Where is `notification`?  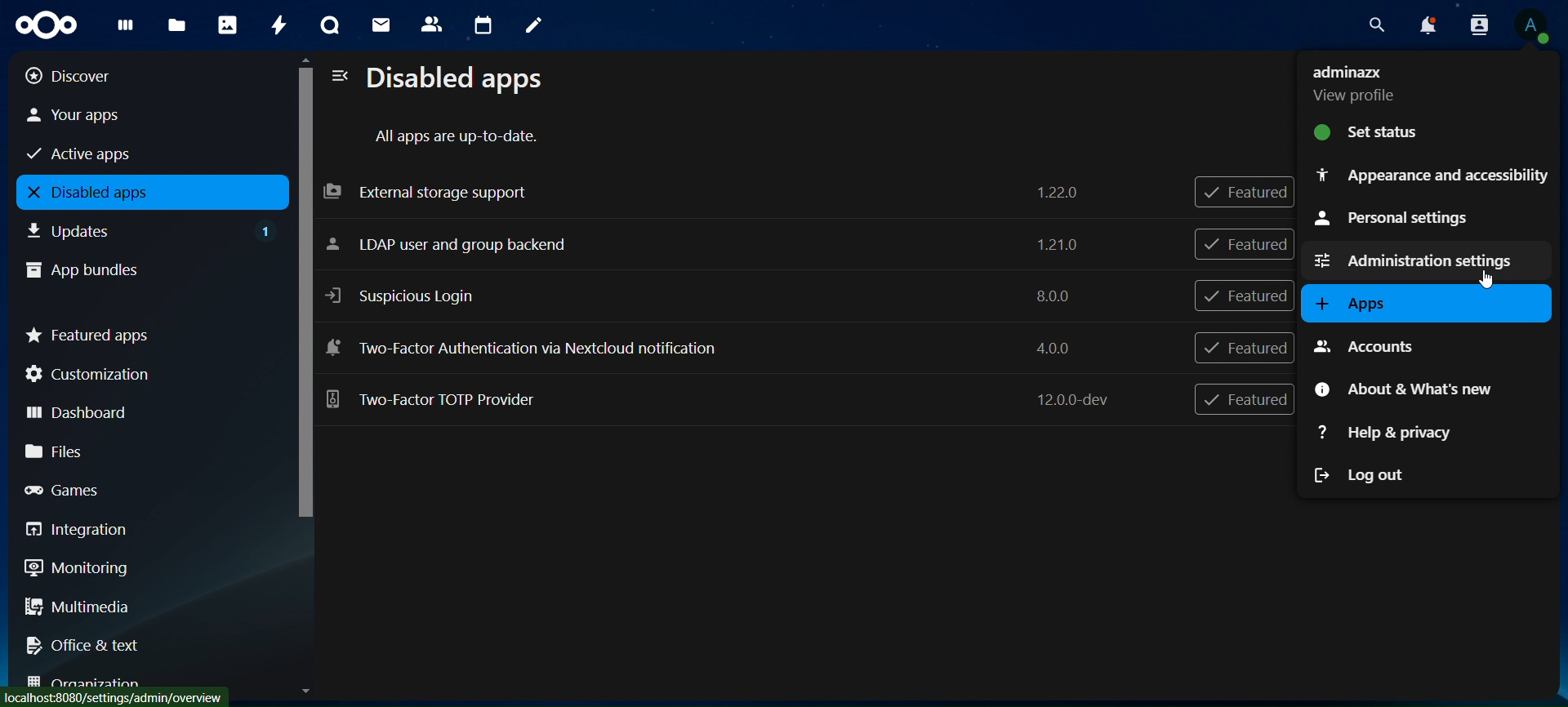
notification is located at coordinates (1427, 26).